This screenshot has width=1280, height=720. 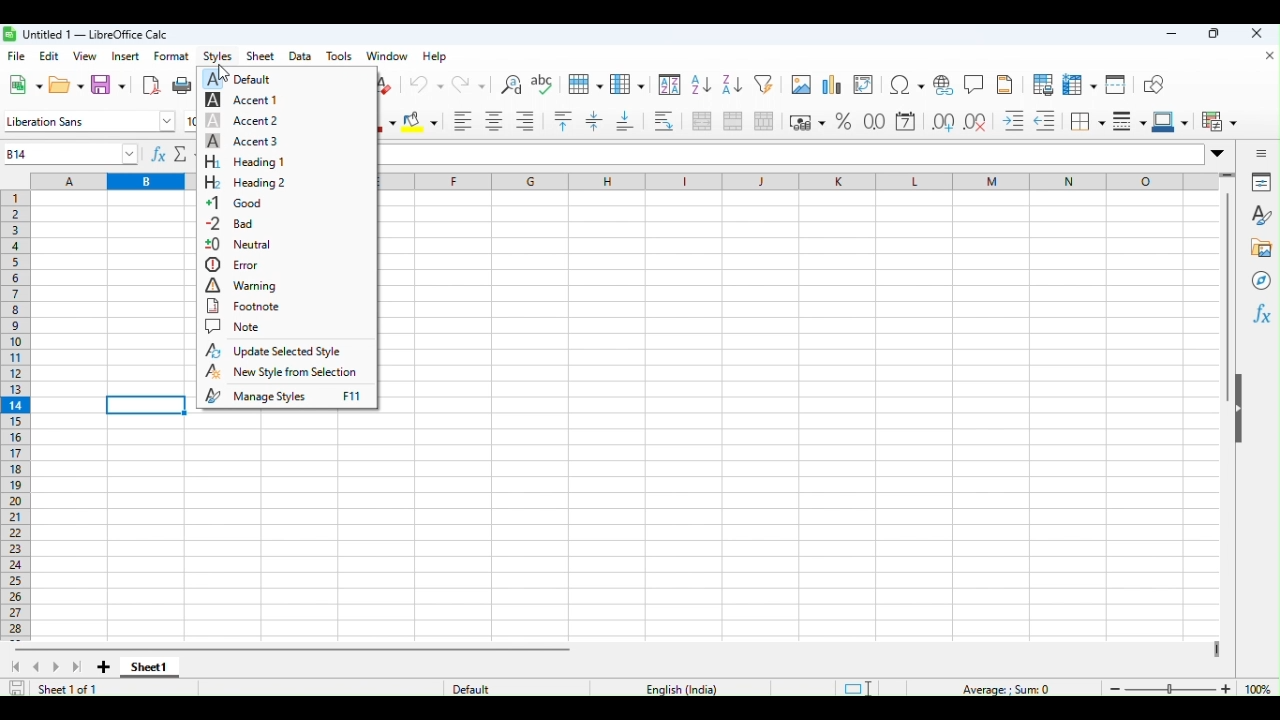 What do you see at coordinates (247, 102) in the screenshot?
I see `Accent 1` at bounding box center [247, 102].